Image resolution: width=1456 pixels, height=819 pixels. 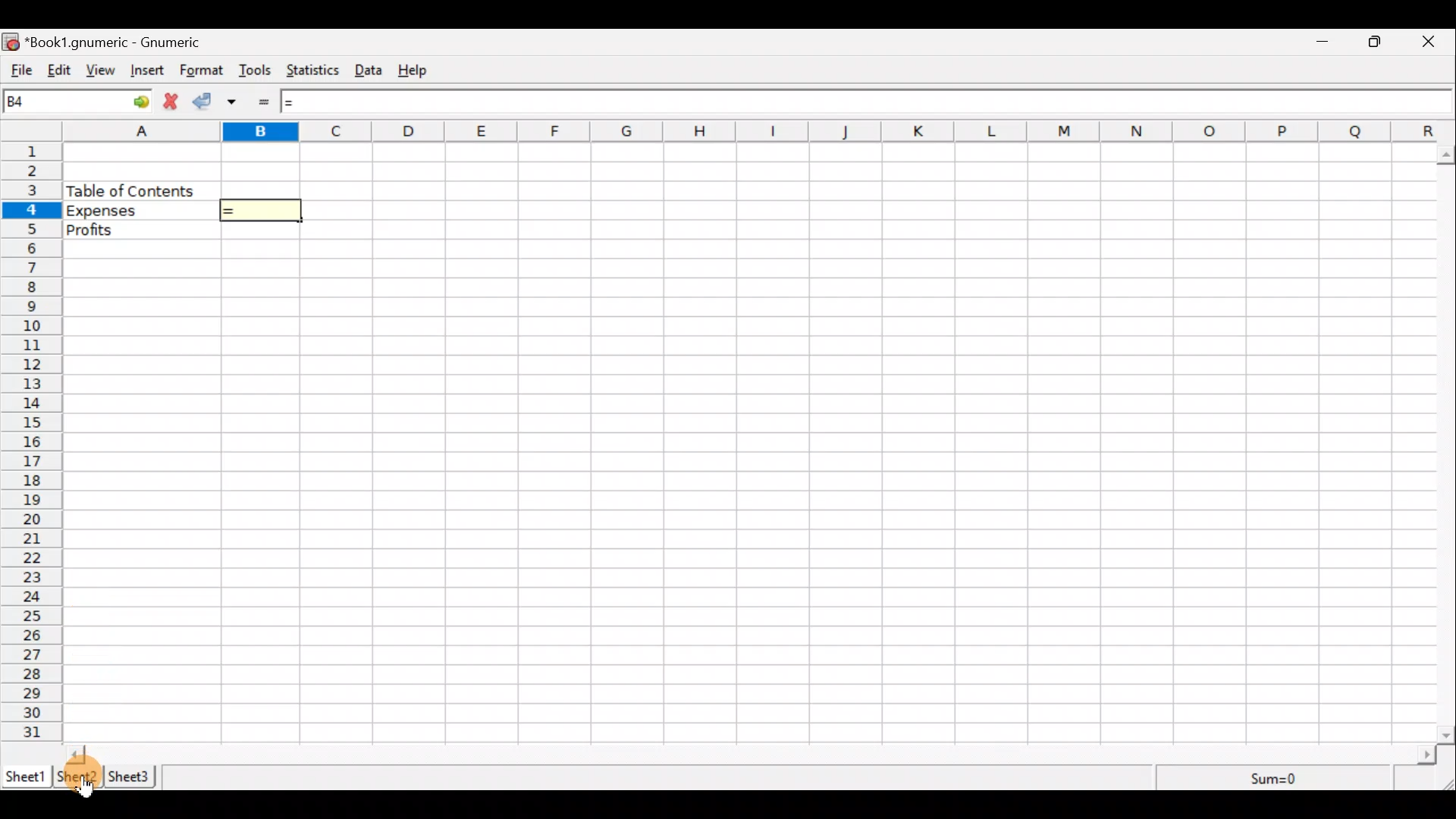 What do you see at coordinates (150, 72) in the screenshot?
I see `Insert` at bounding box center [150, 72].